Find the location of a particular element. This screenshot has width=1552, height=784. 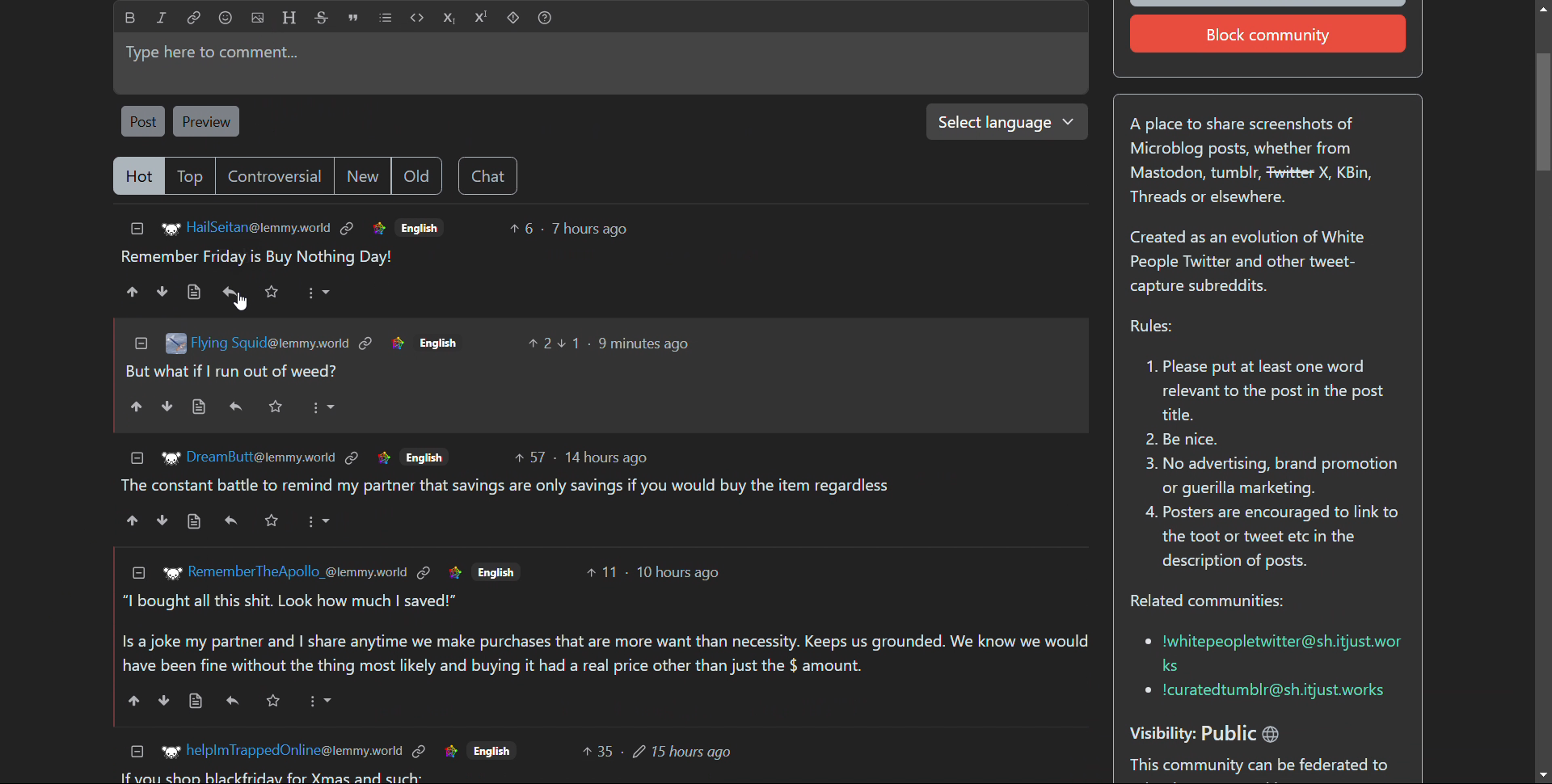

link is located at coordinates (195, 17).